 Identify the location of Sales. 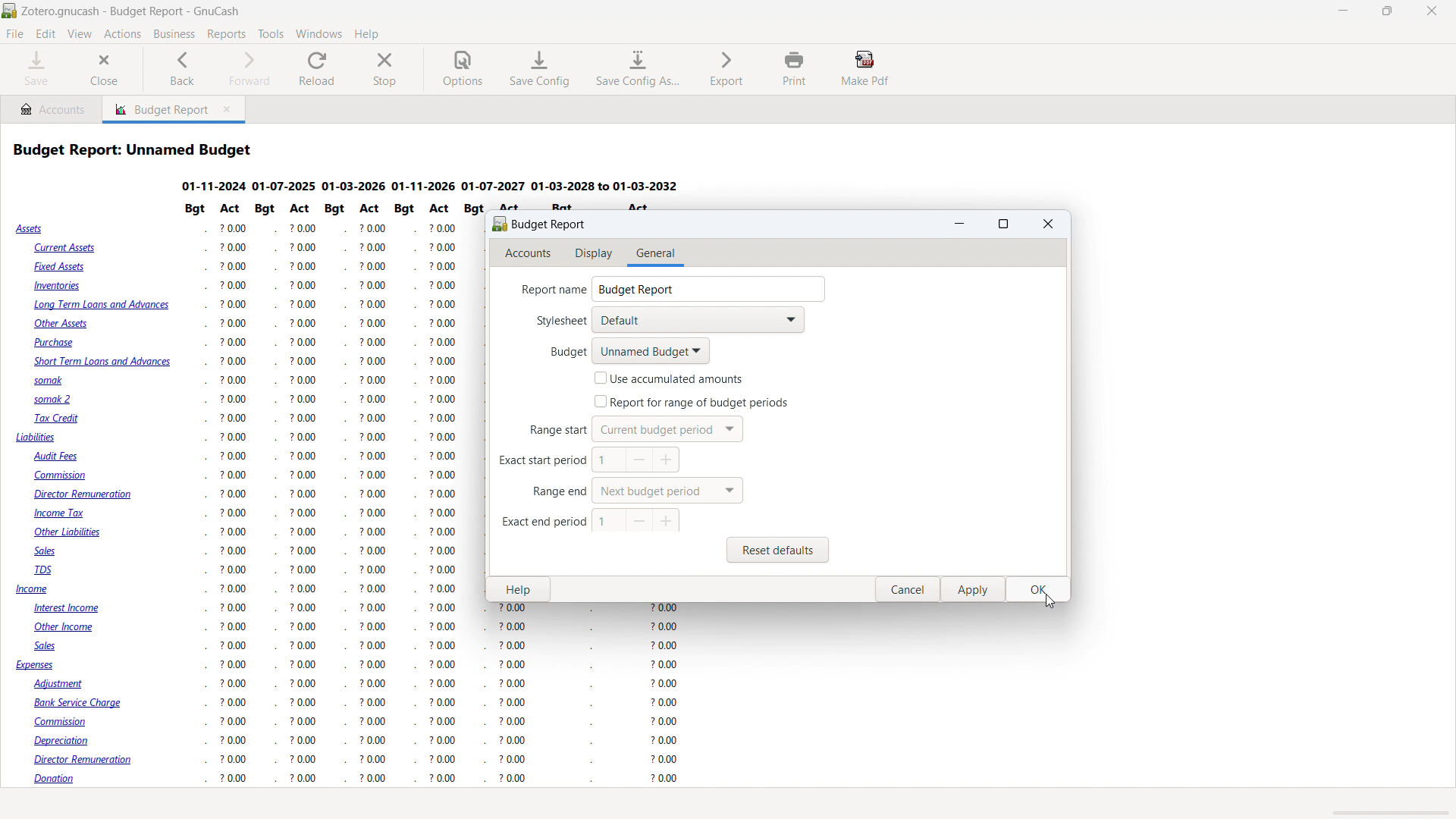
(53, 552).